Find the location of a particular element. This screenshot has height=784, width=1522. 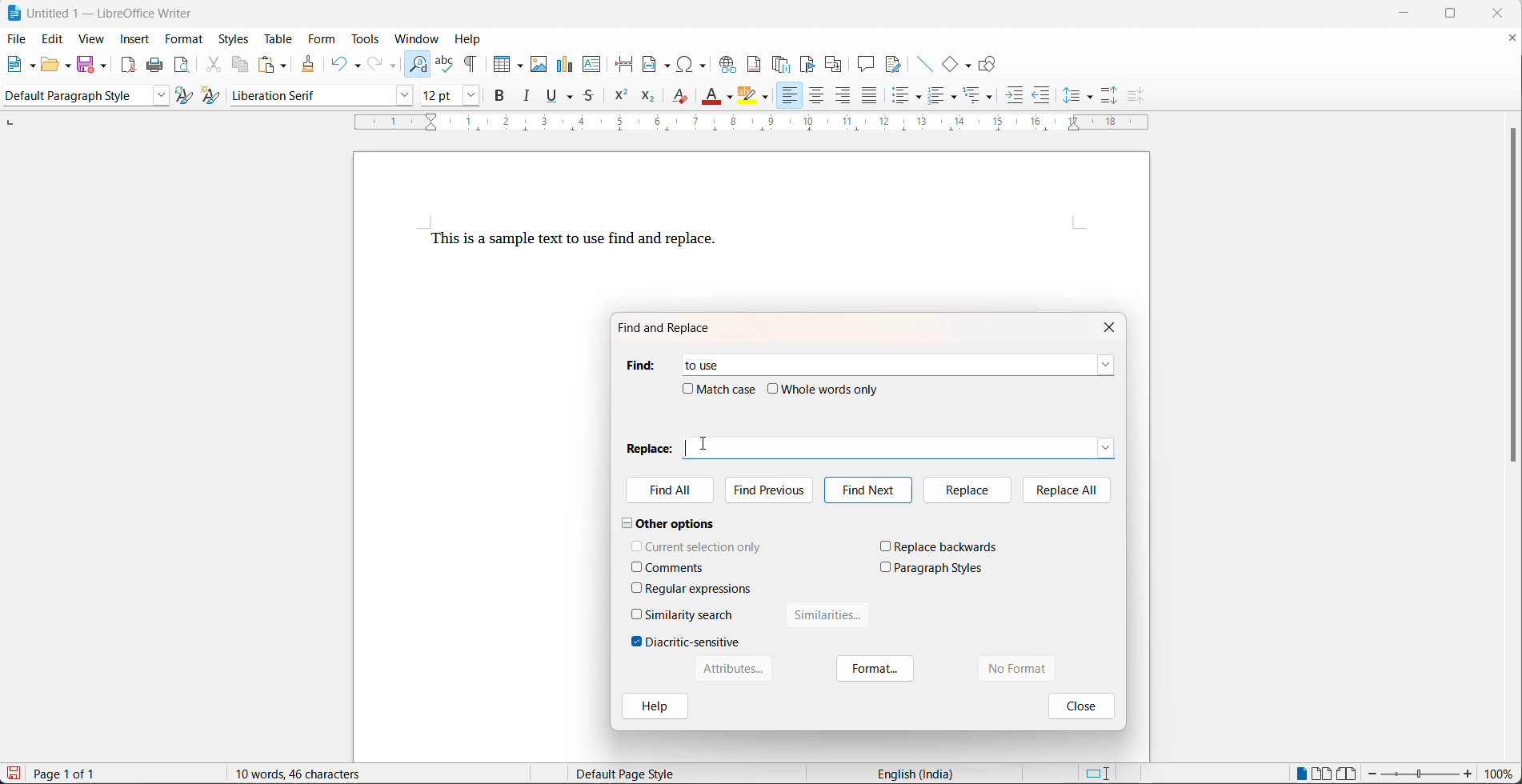

insert hyperlink is located at coordinates (729, 64).